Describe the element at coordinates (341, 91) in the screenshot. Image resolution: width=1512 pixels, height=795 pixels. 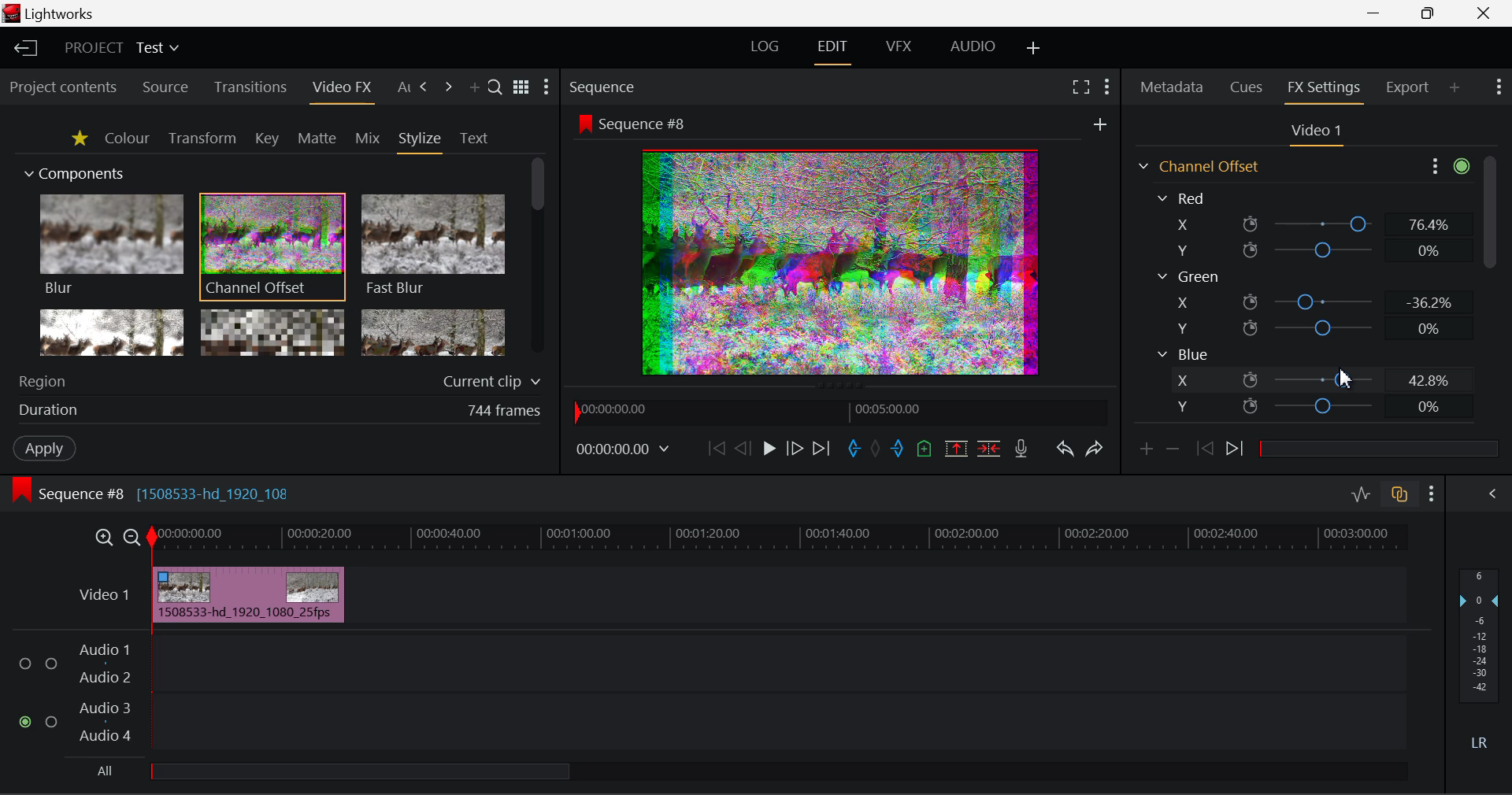
I see `Video FX` at that location.